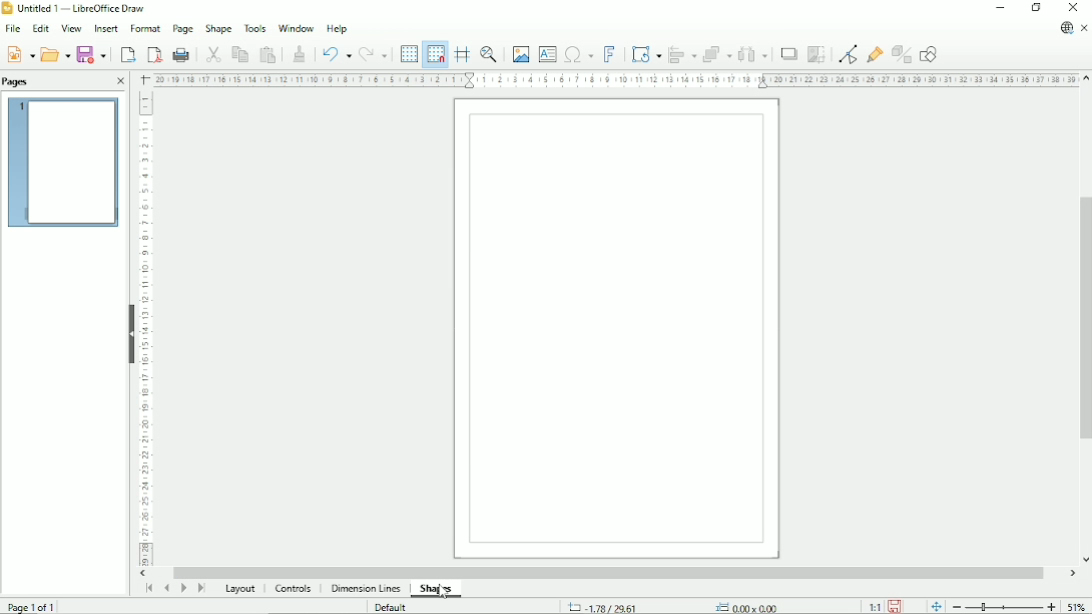 This screenshot has width=1092, height=614. What do you see at coordinates (718, 54) in the screenshot?
I see `Arrange` at bounding box center [718, 54].